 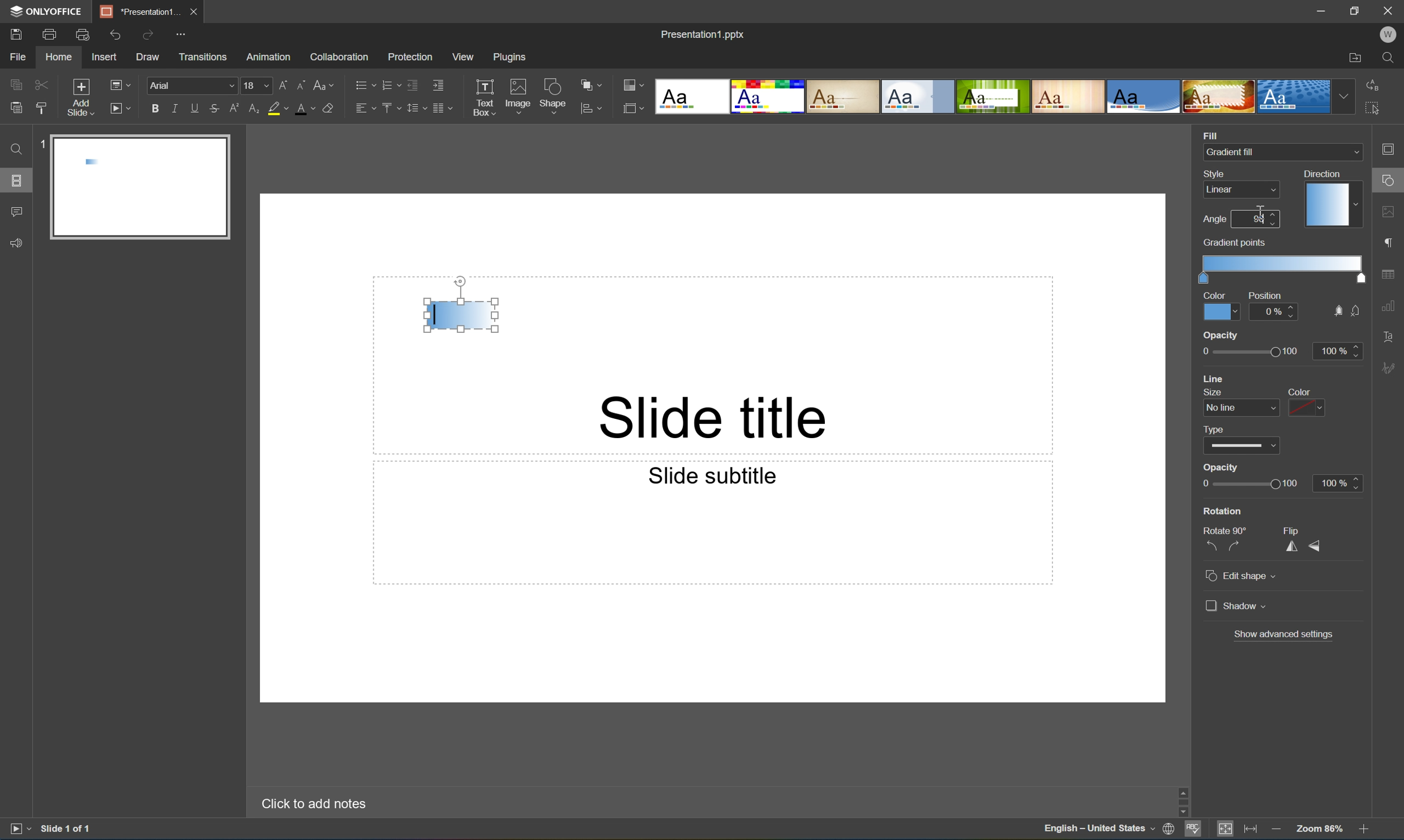 I want to click on Insert, so click(x=104, y=57).